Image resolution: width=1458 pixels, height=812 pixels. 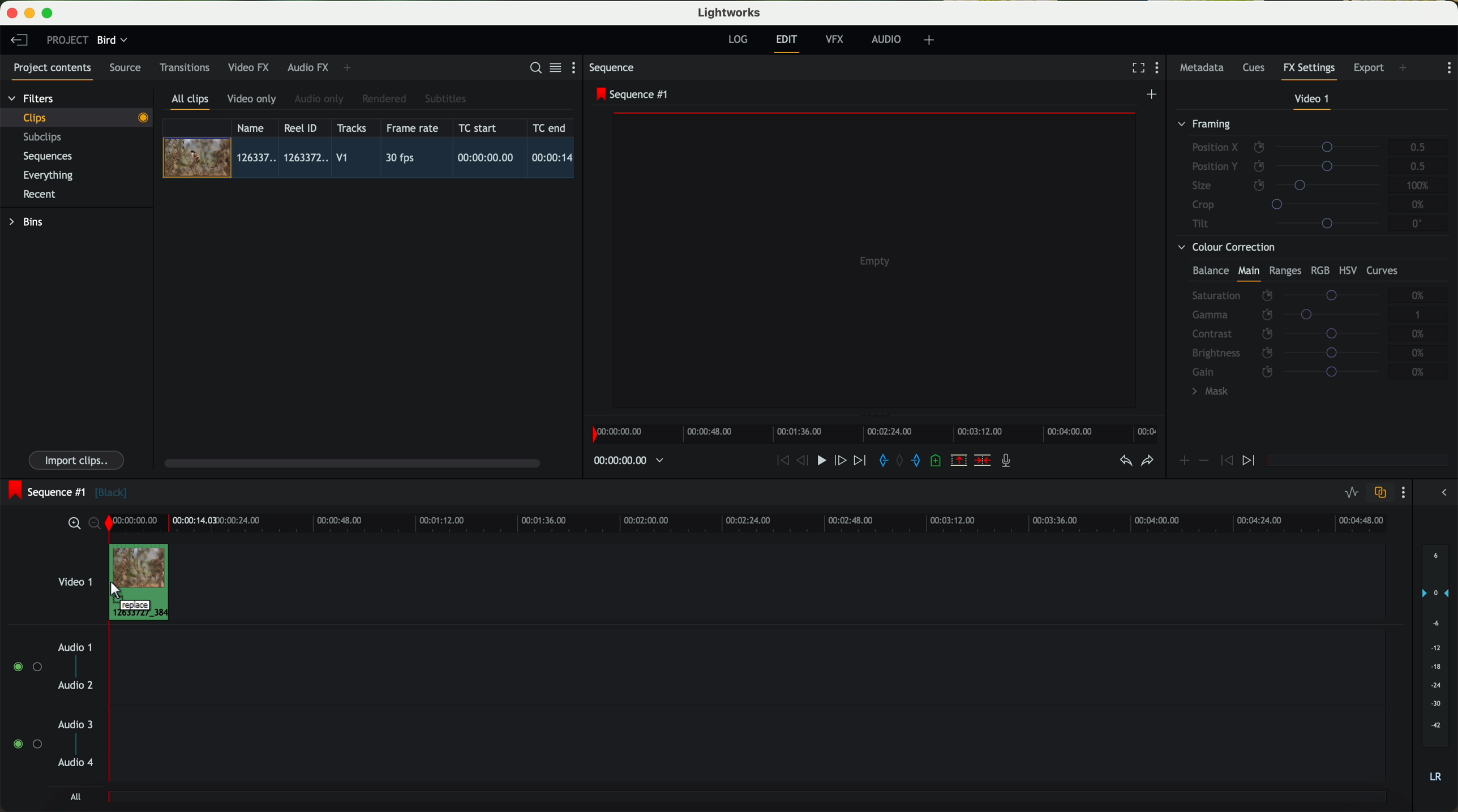 I want to click on audio FX, so click(x=308, y=67).